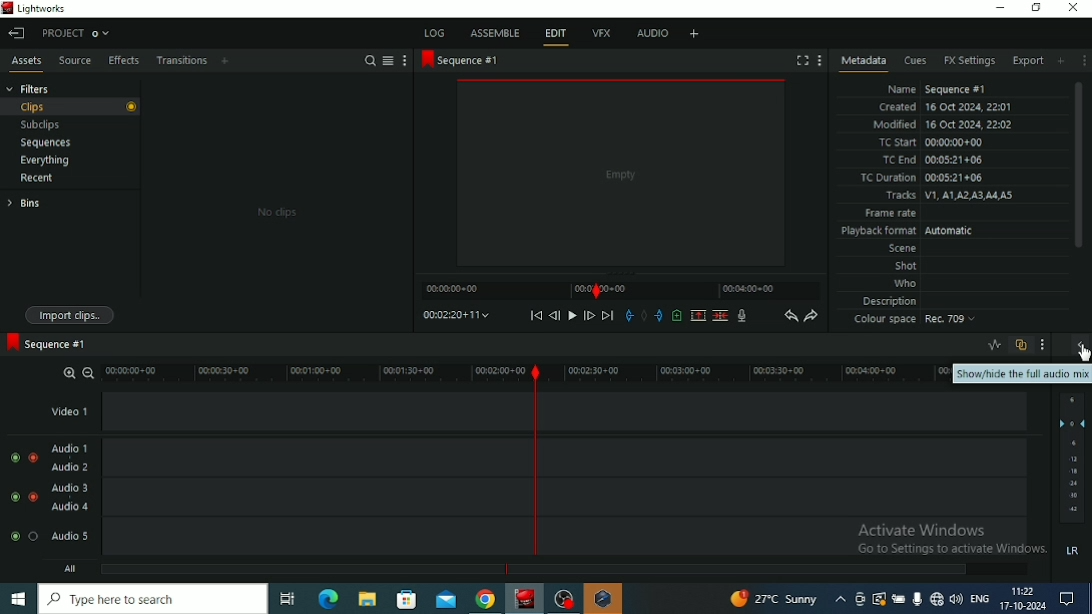 This screenshot has width=1092, height=614. What do you see at coordinates (968, 61) in the screenshot?
I see `FX Settings` at bounding box center [968, 61].